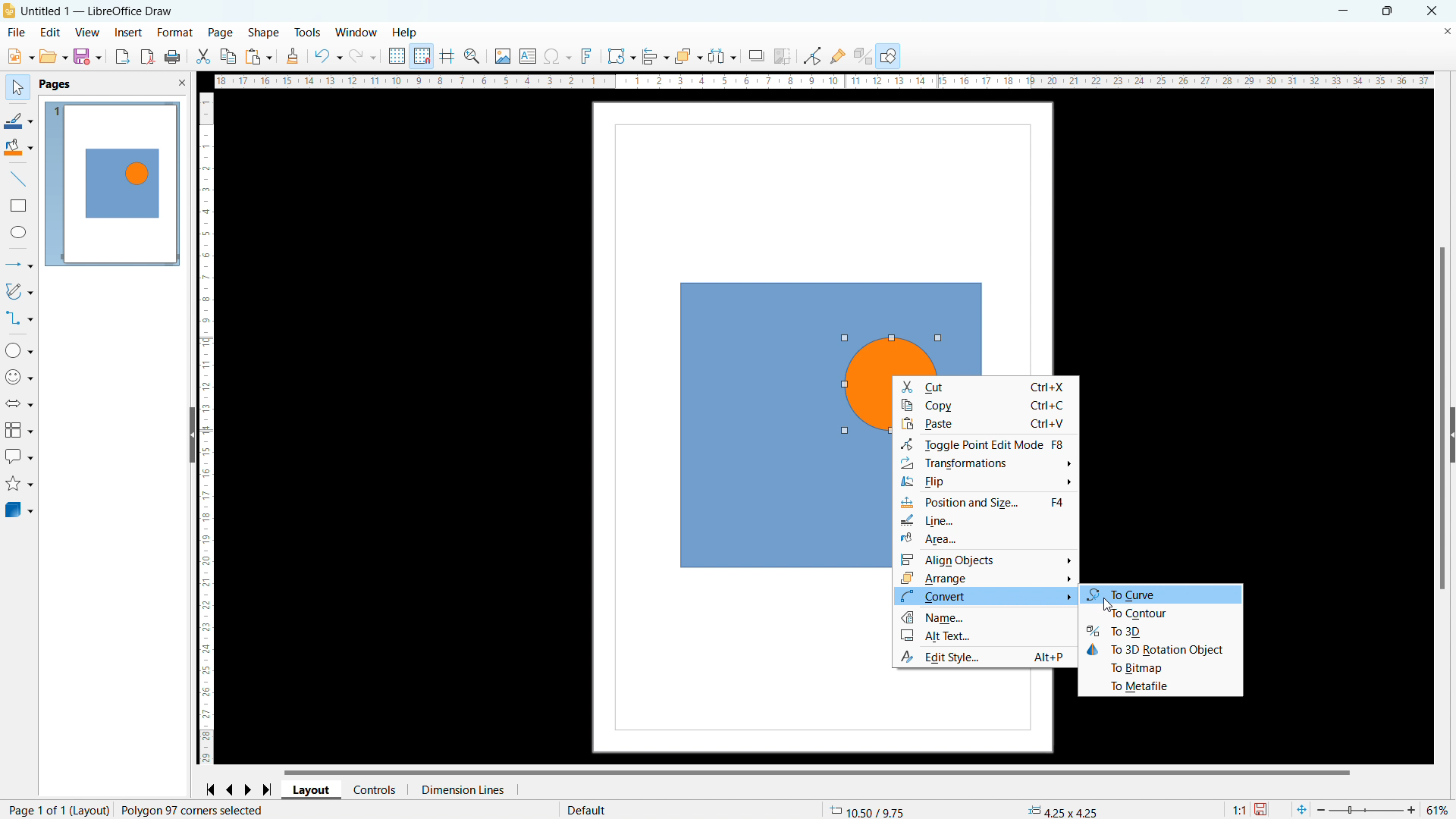  What do you see at coordinates (723, 56) in the screenshot?
I see `select at least three objects to distribute` at bounding box center [723, 56].